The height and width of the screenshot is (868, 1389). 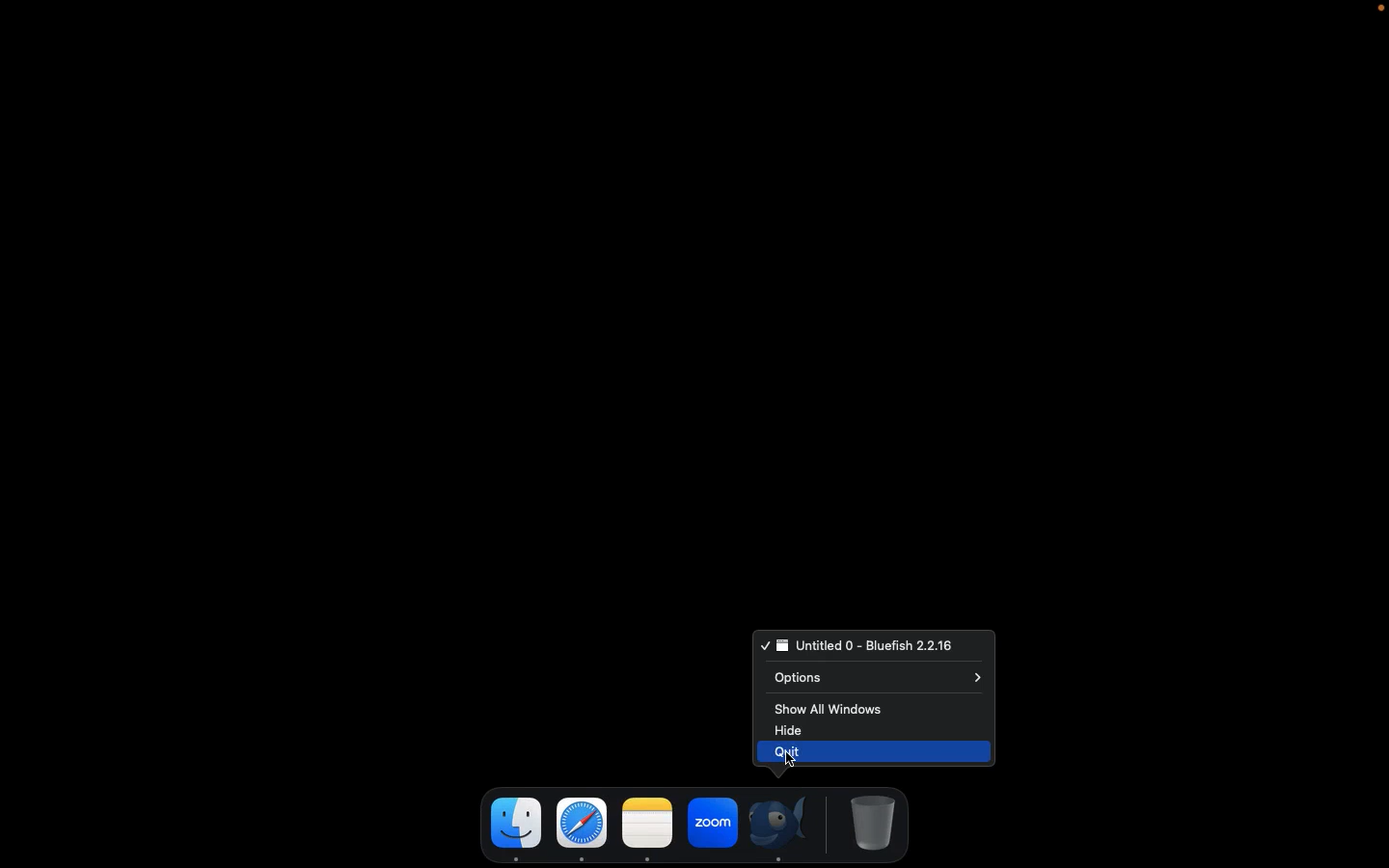 What do you see at coordinates (830, 711) in the screenshot?
I see `Show all windows` at bounding box center [830, 711].